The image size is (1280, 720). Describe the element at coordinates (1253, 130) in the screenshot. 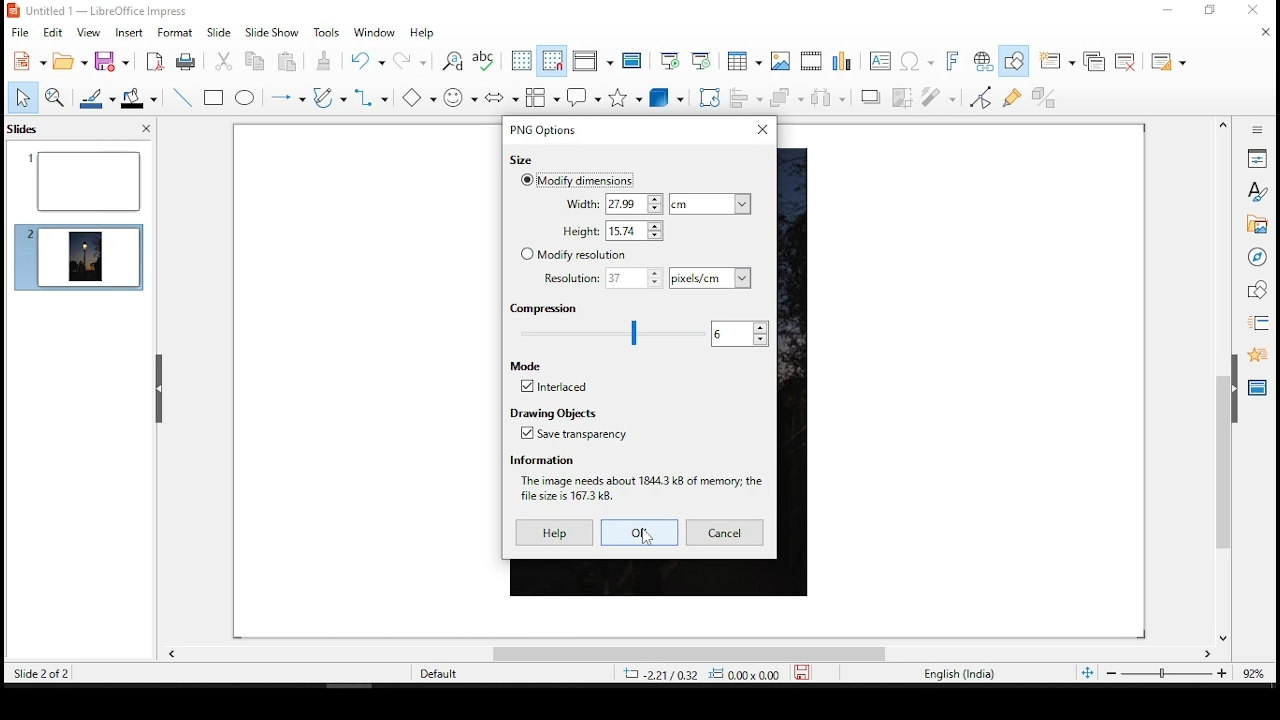

I see `sidebar settings` at that location.